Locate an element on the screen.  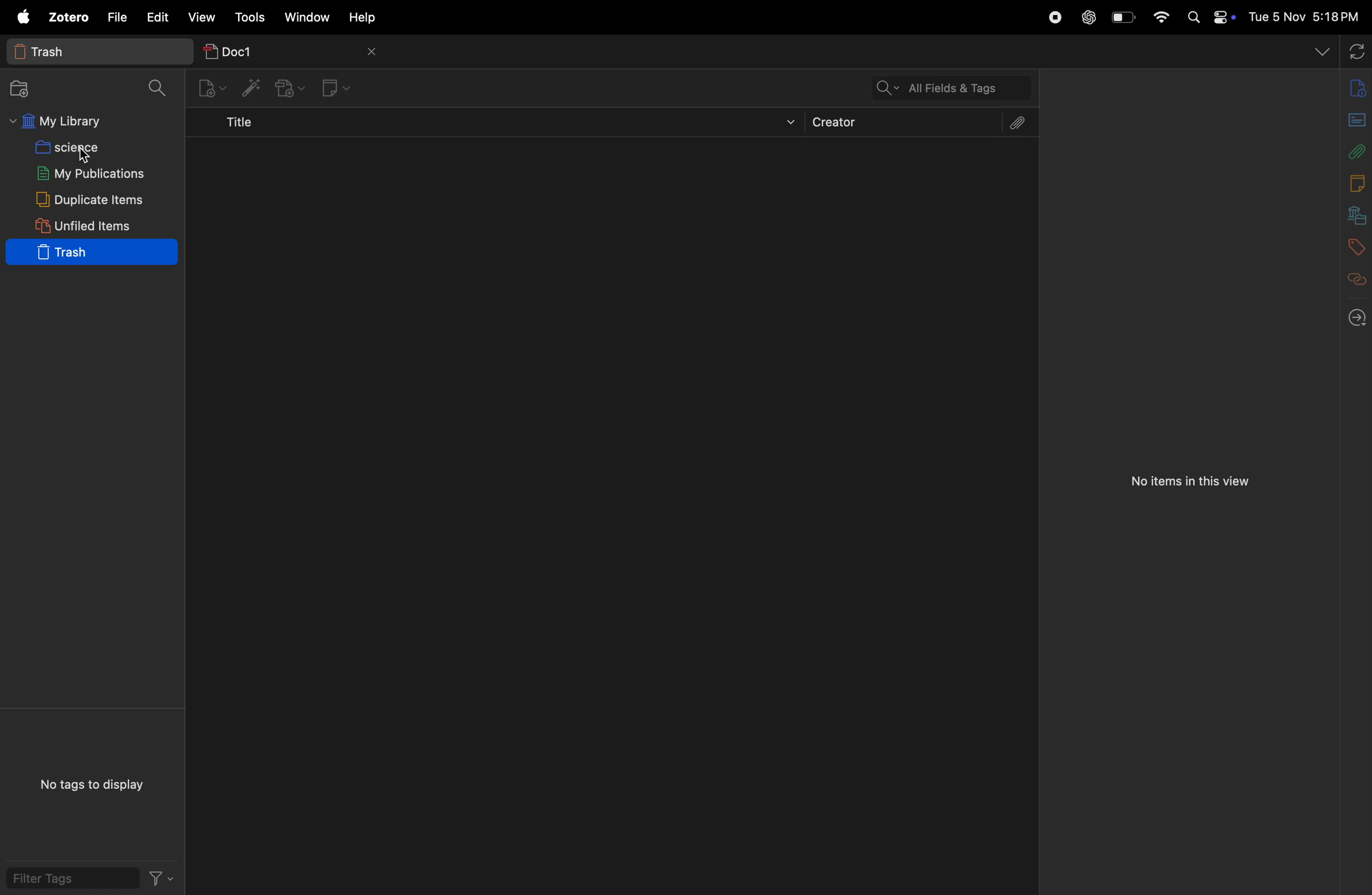
Search is located at coordinates (1191, 16).